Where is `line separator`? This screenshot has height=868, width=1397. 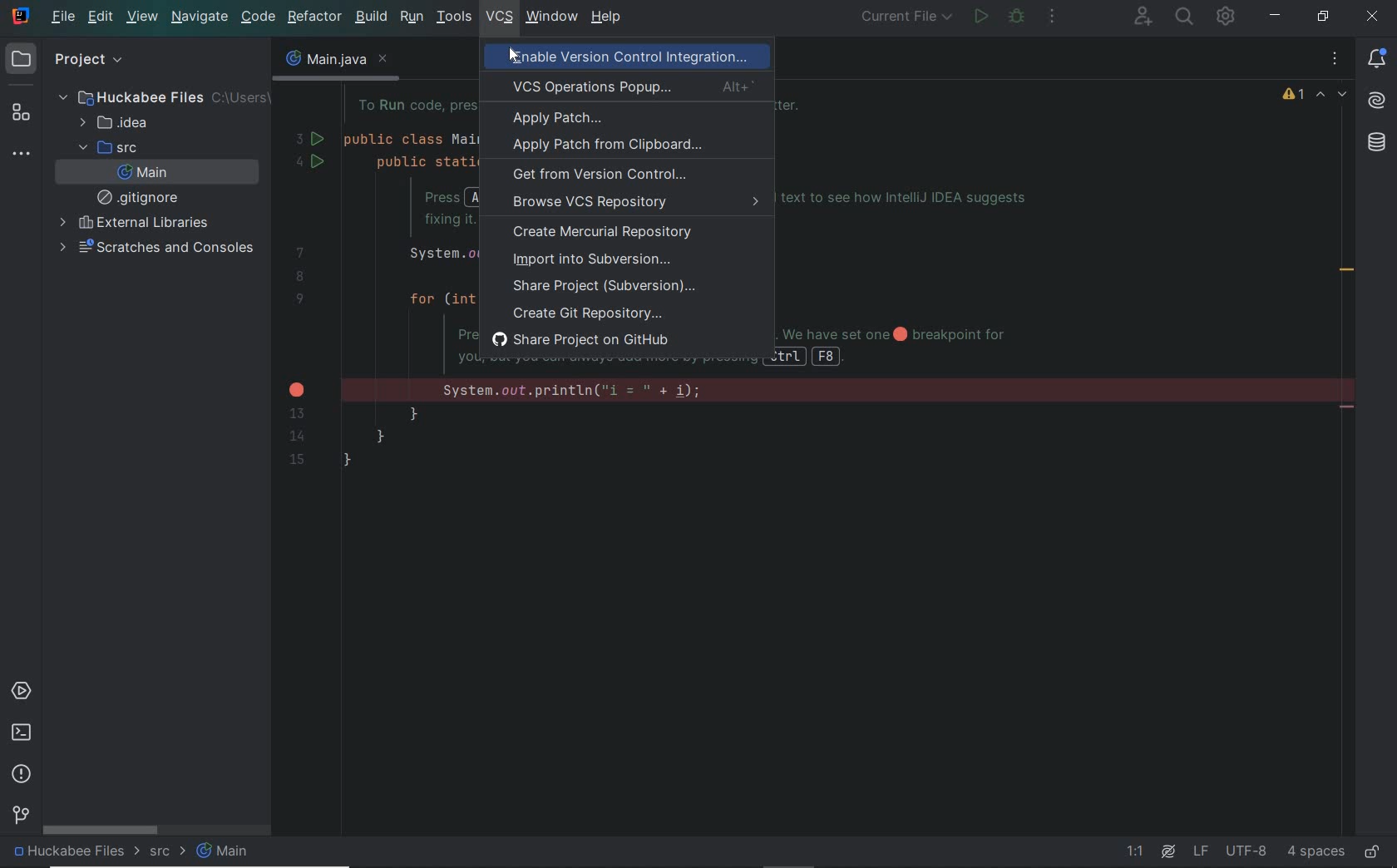
line separator is located at coordinates (1201, 852).